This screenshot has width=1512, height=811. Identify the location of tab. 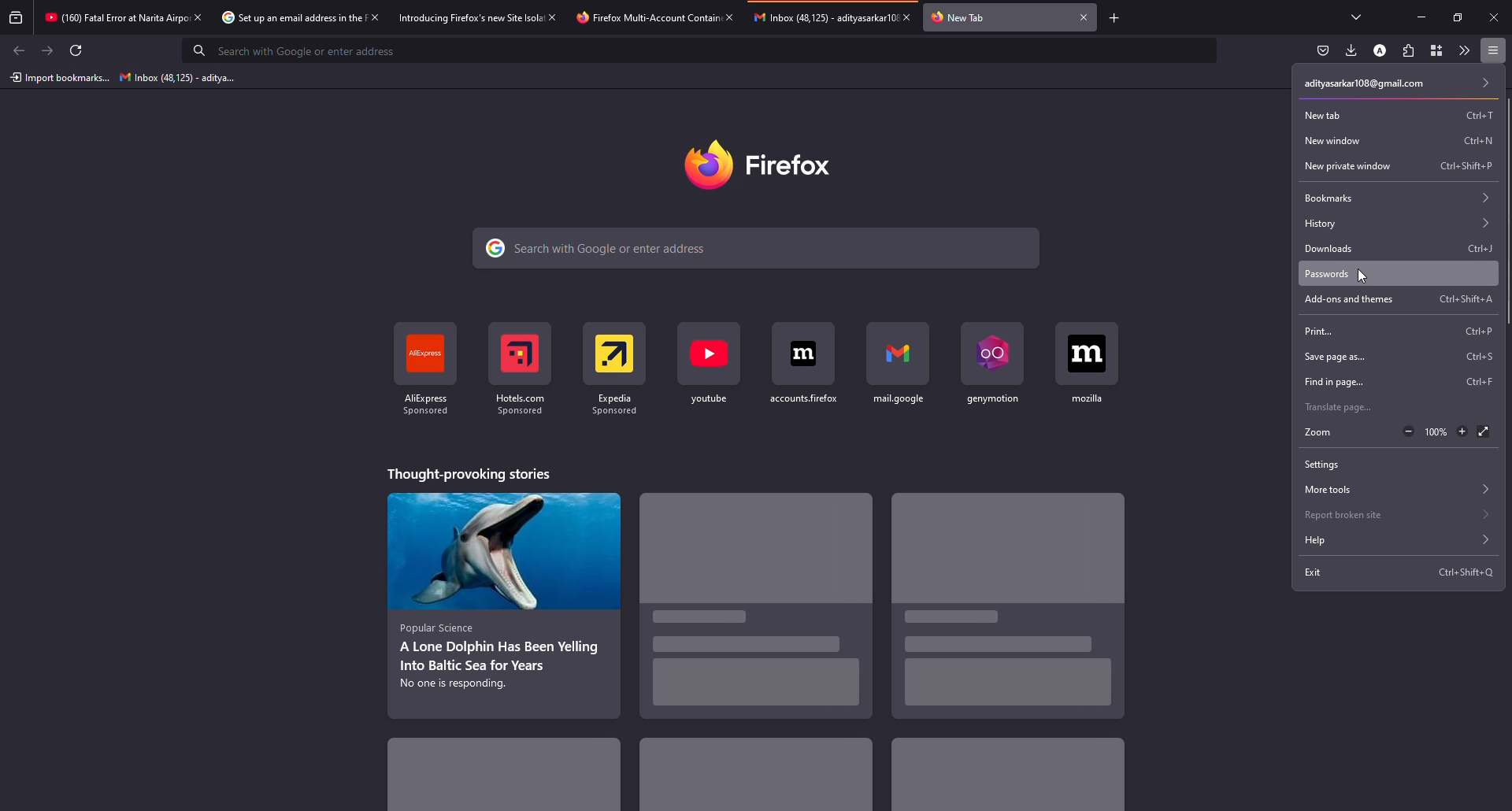
(824, 17).